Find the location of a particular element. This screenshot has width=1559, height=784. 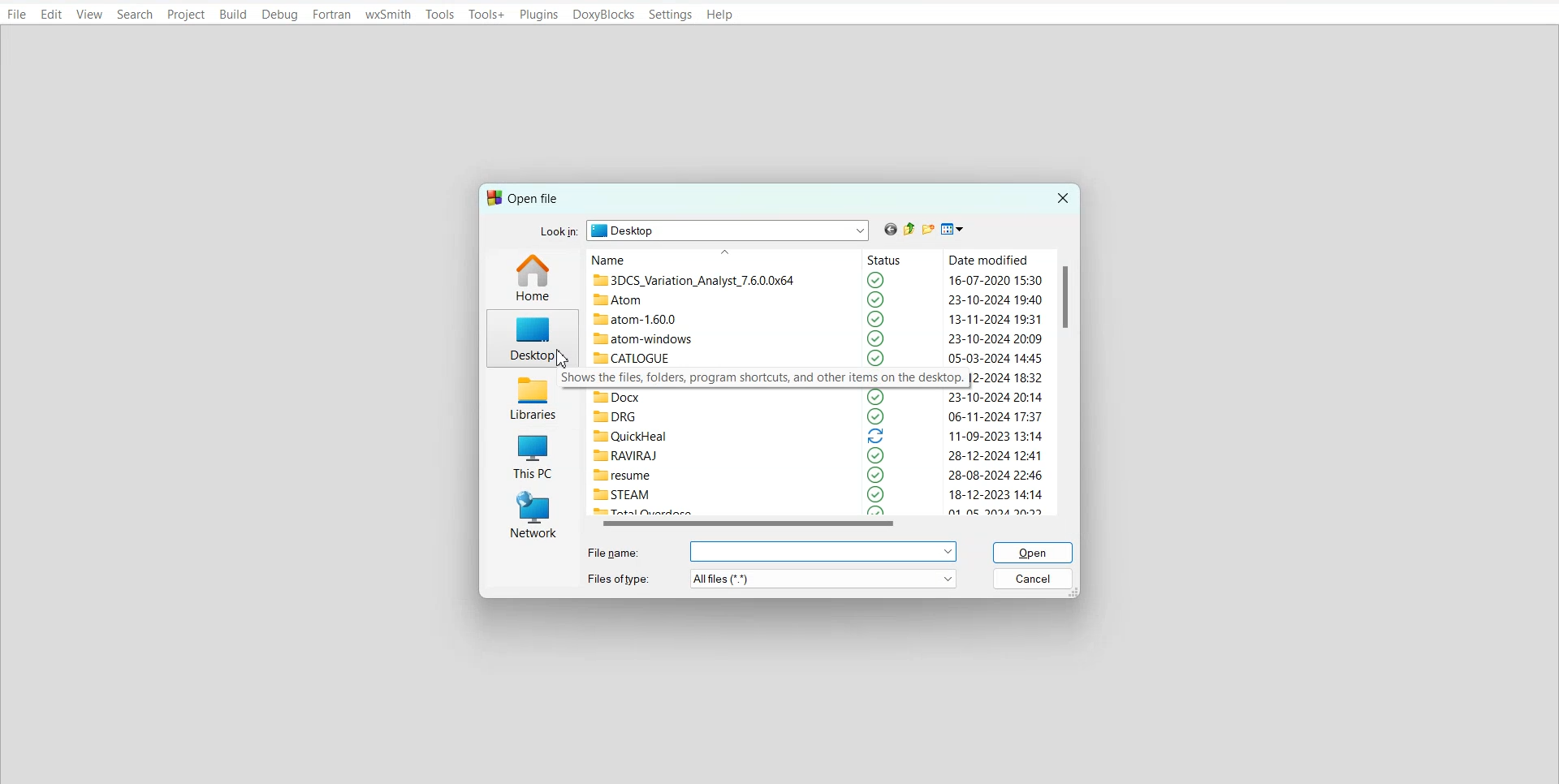

Up one level is located at coordinates (909, 230).